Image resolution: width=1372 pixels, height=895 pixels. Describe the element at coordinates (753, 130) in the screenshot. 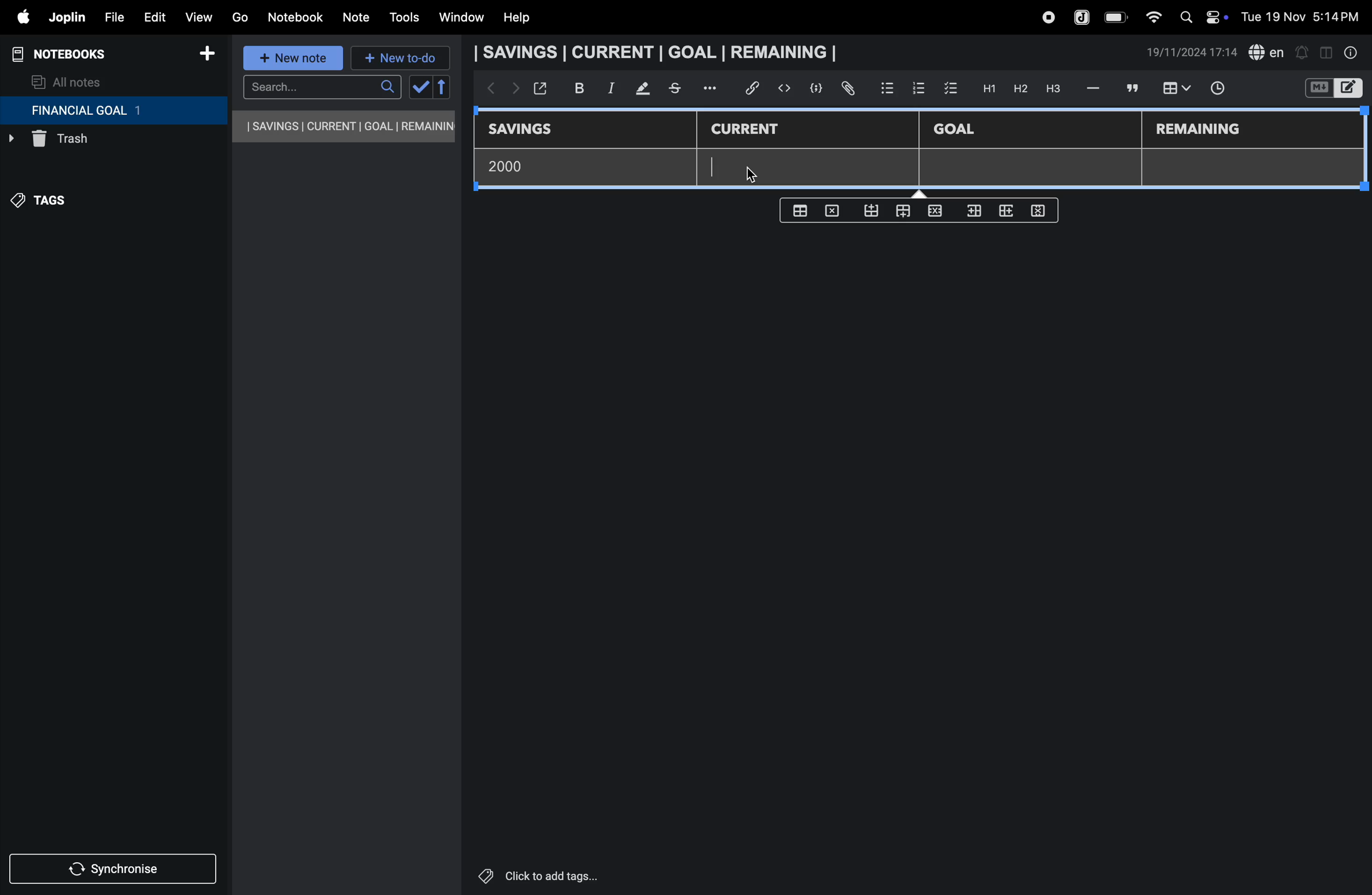

I see `current` at that location.